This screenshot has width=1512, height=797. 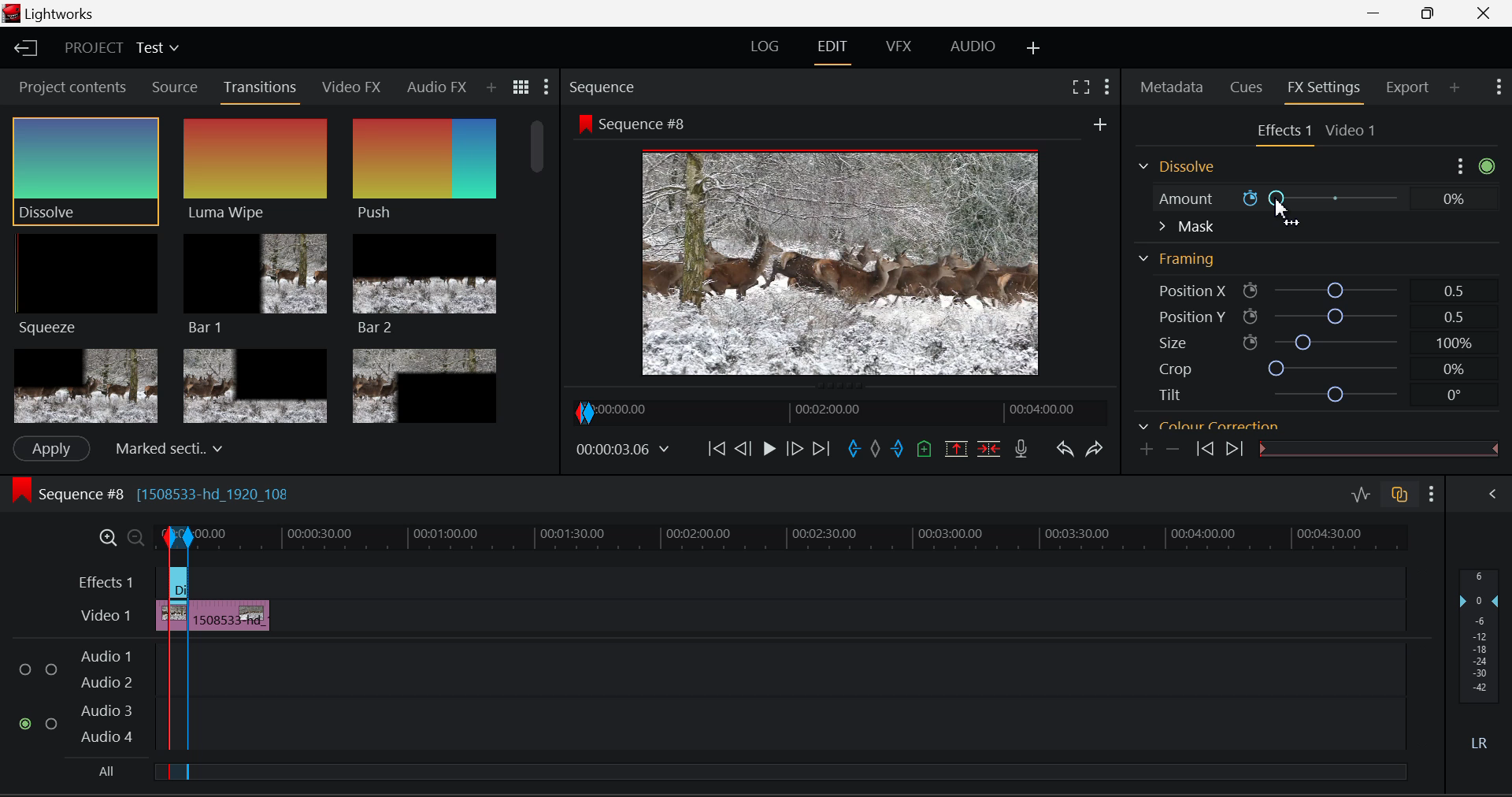 What do you see at coordinates (622, 449) in the screenshot?
I see `Frame Time` at bounding box center [622, 449].